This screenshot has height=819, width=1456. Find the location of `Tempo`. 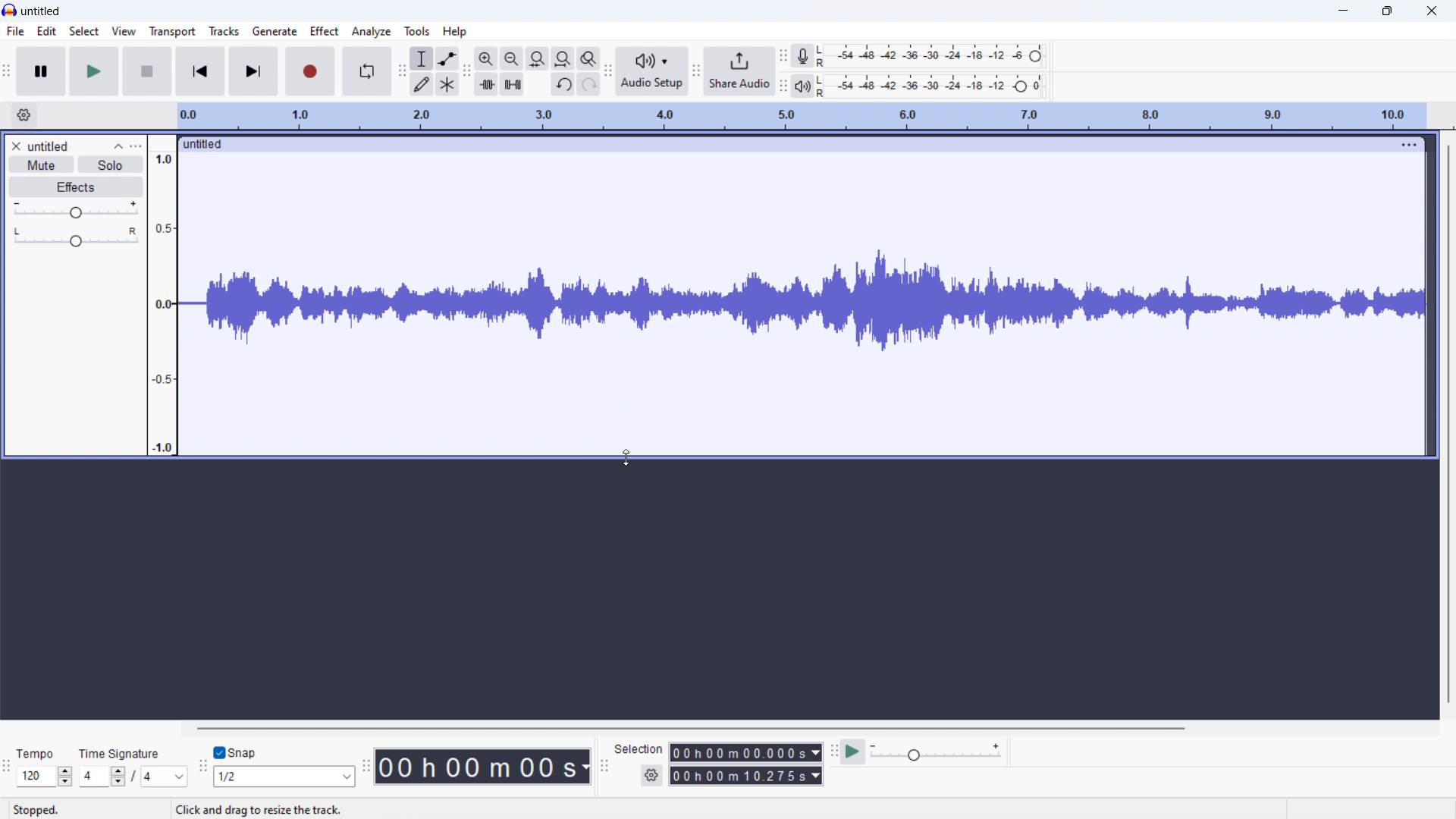

Tempo is located at coordinates (39, 754).